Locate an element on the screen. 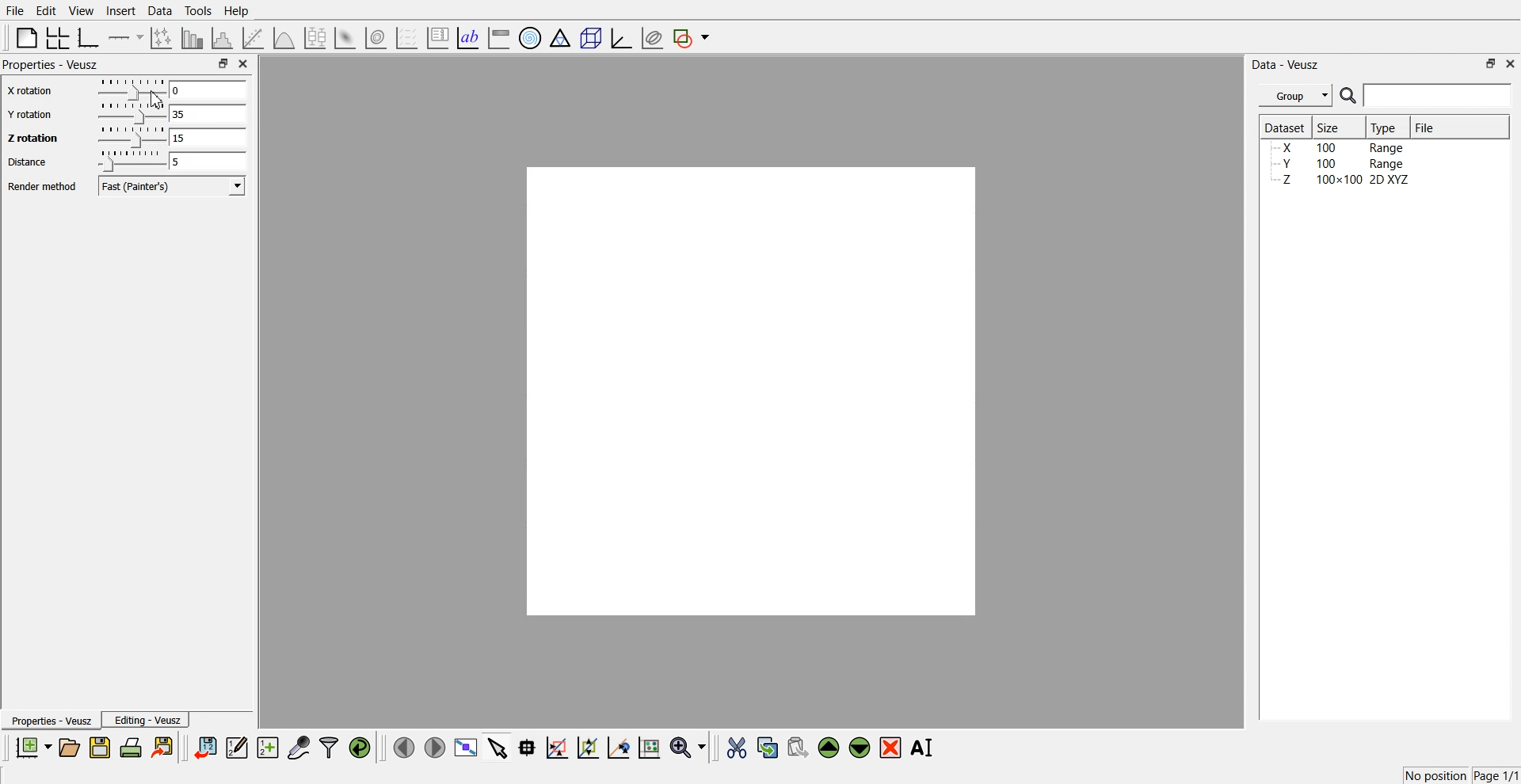  Move up the selected widget is located at coordinates (829, 748).